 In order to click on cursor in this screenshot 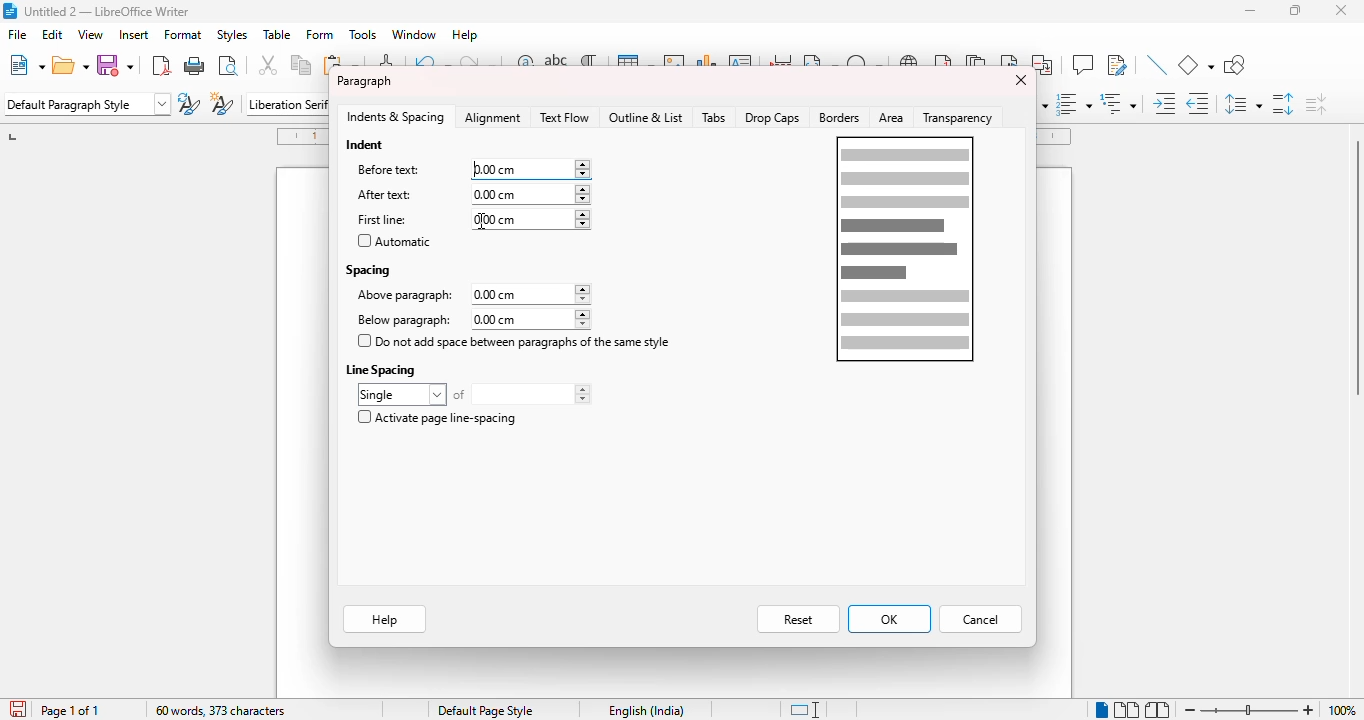, I will do `click(481, 222)`.